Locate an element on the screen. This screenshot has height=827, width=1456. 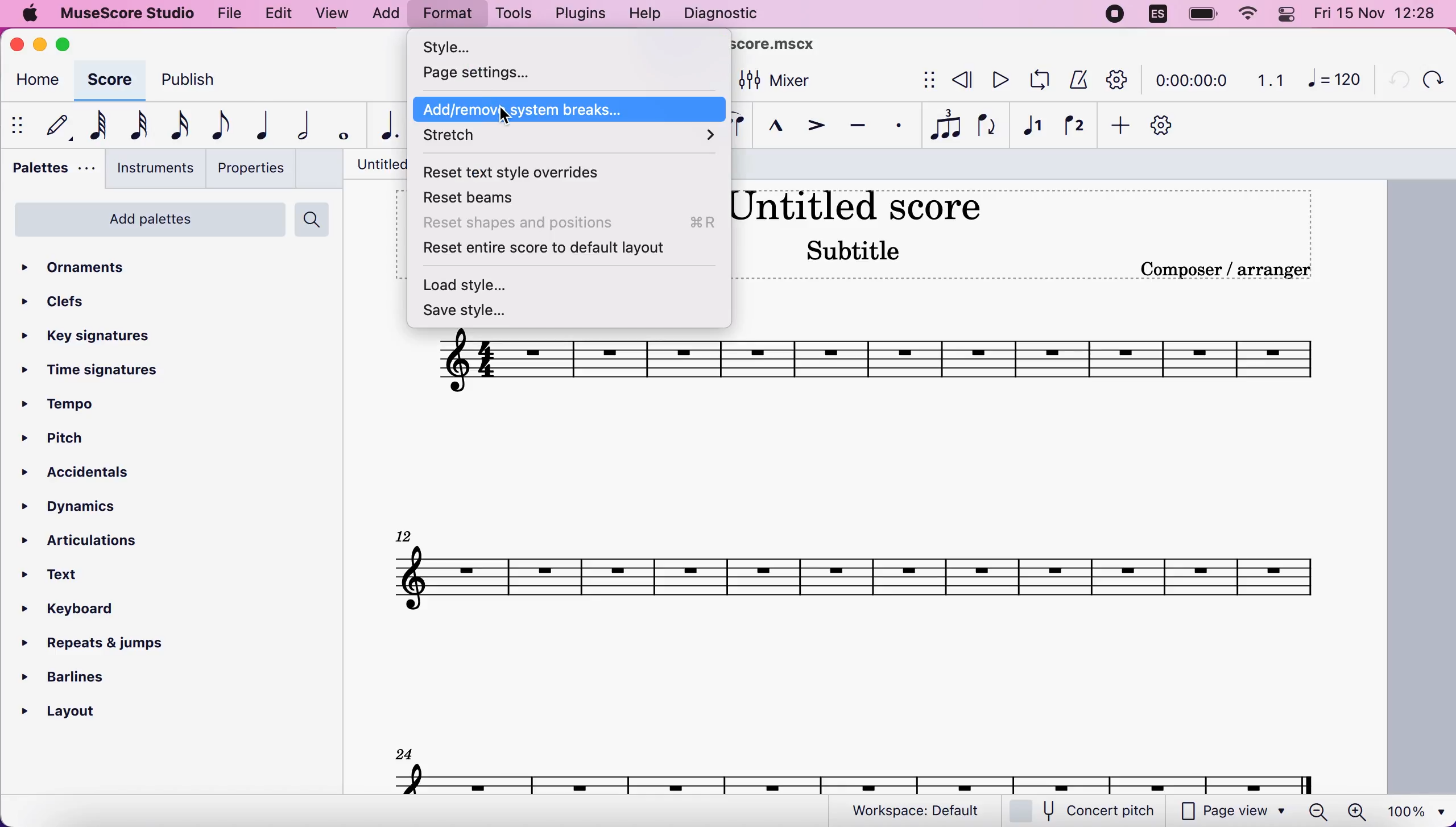
minimize is located at coordinates (40, 44).